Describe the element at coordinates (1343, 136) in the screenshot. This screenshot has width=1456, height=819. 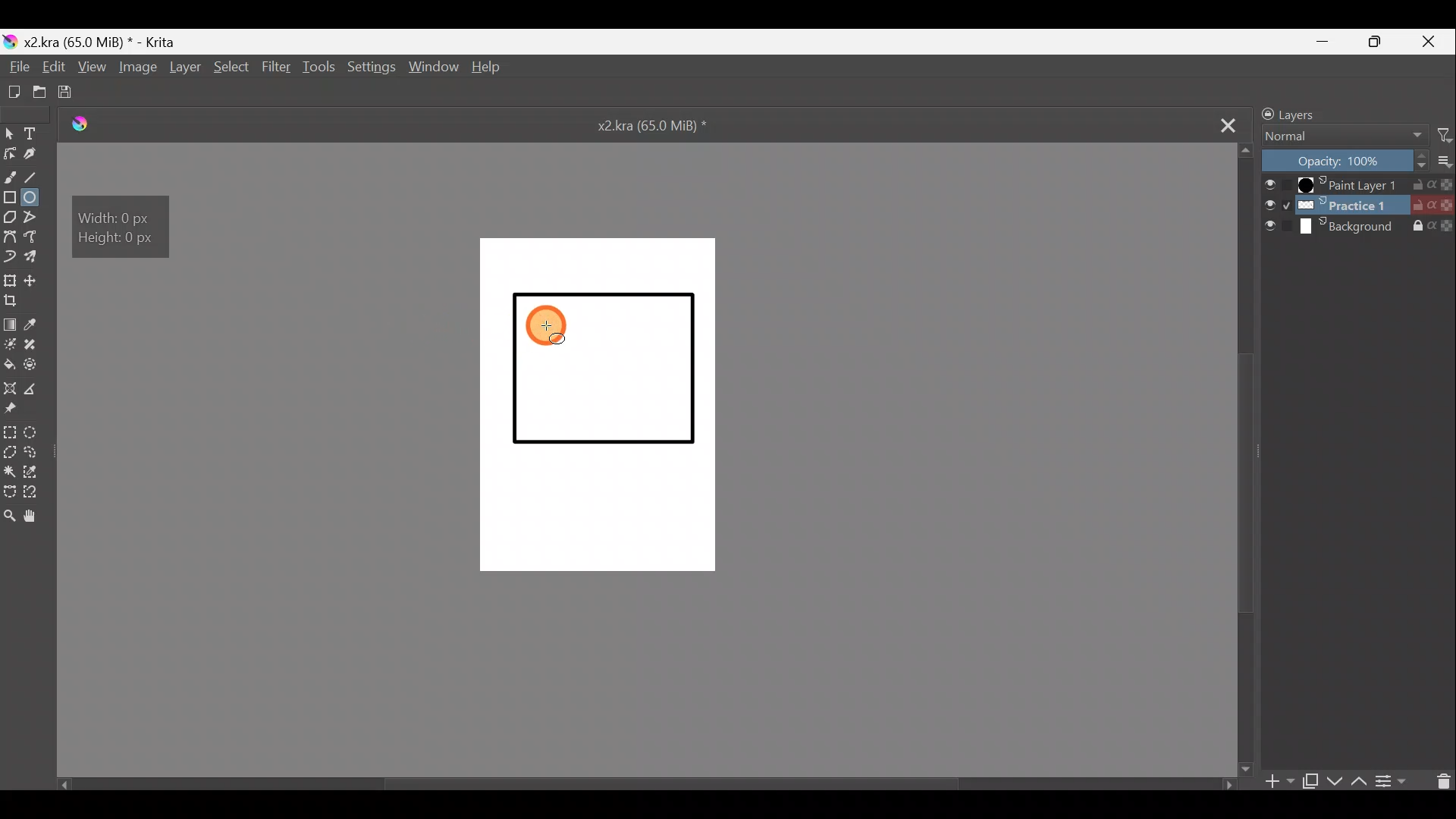
I see `Normal Blending mode` at that location.